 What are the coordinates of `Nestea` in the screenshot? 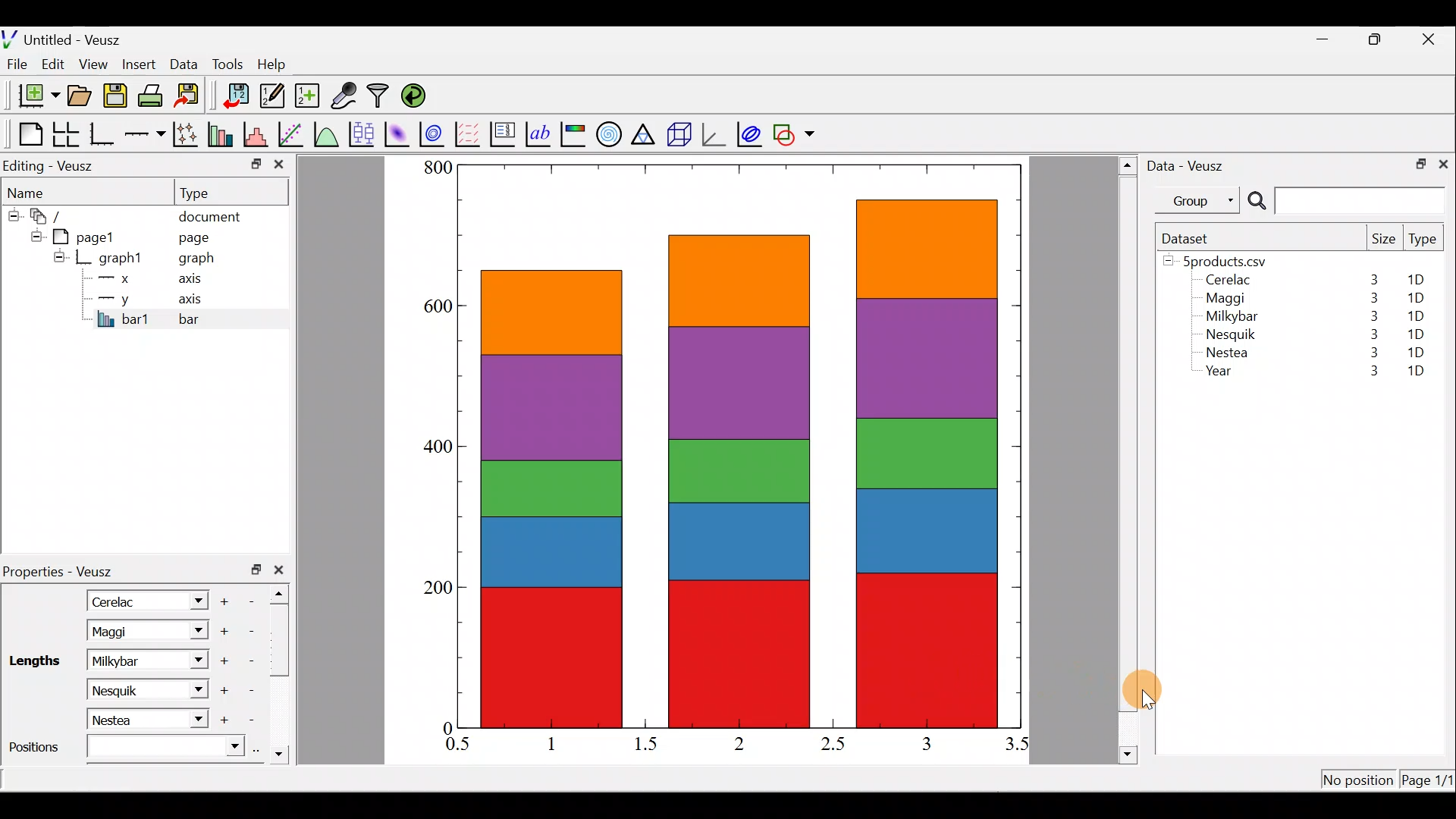 It's located at (1228, 353).